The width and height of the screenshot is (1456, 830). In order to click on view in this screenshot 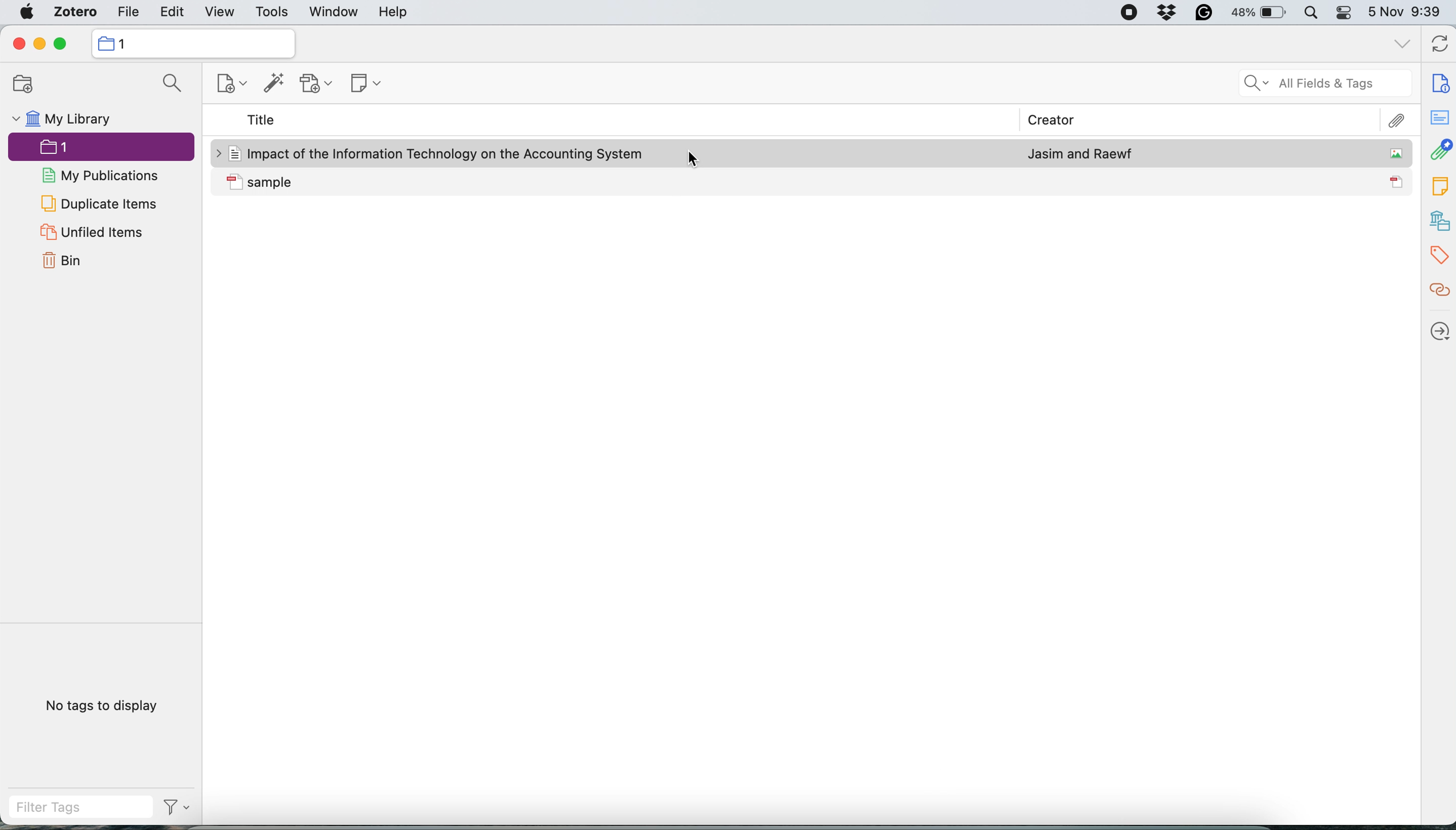, I will do `click(221, 13)`.